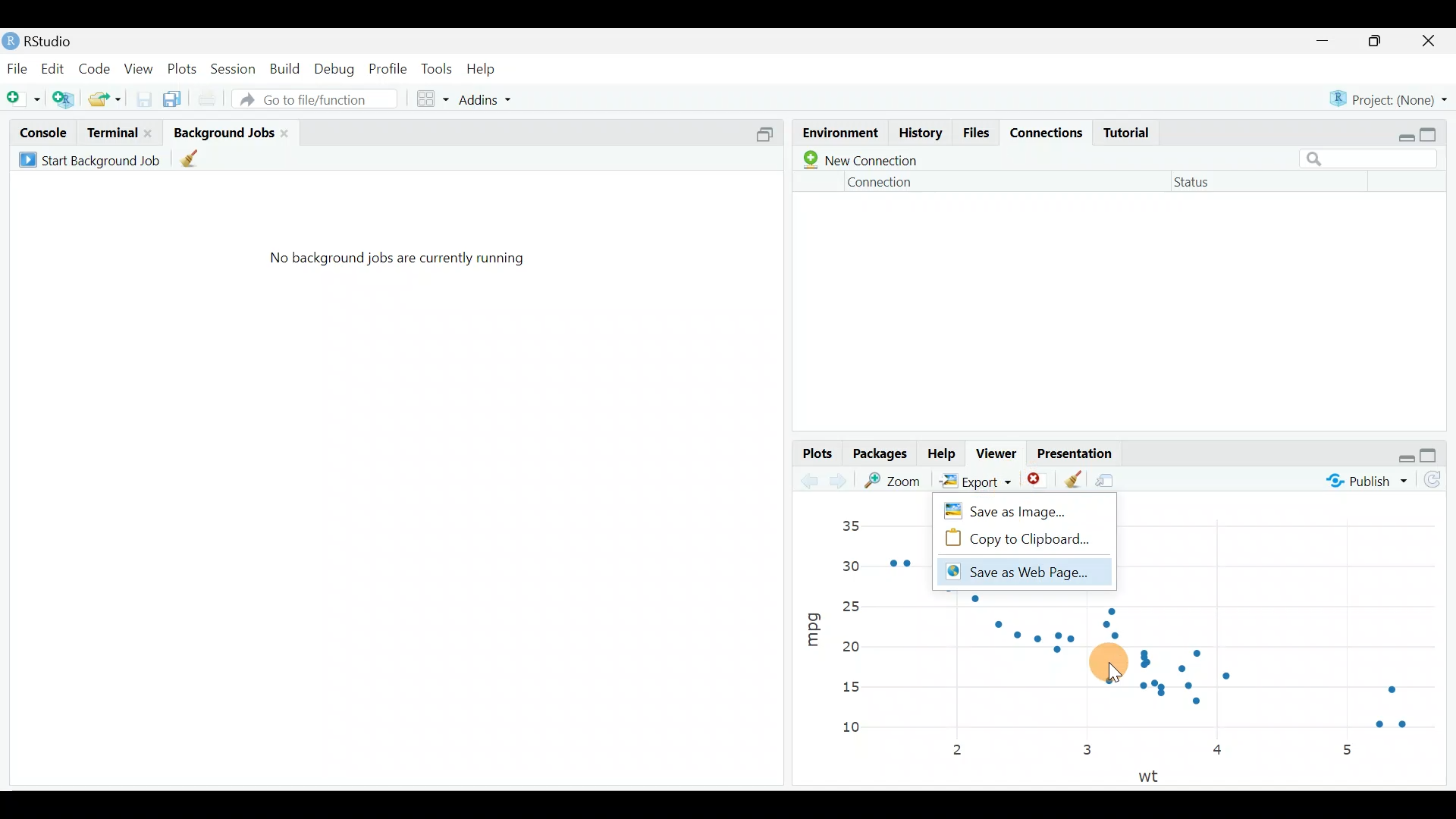  I want to click on 2, so click(961, 752).